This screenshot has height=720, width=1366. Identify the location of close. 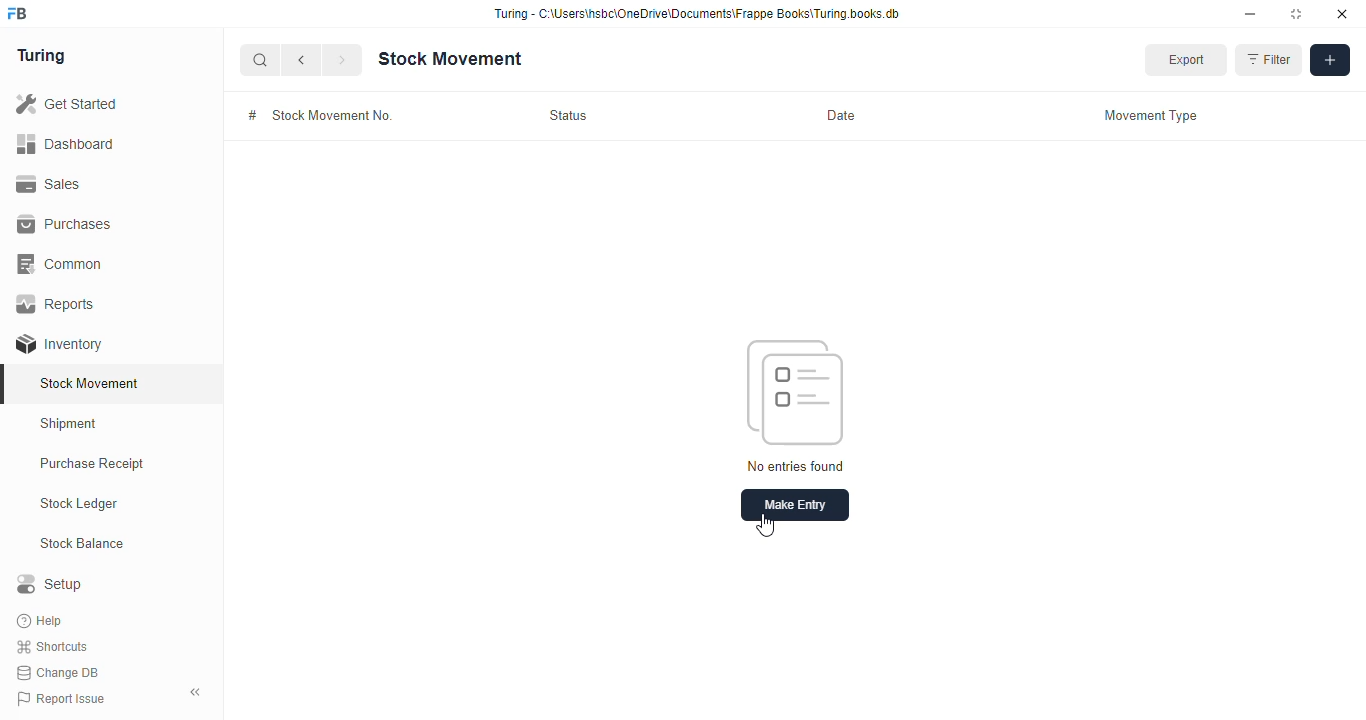
(1342, 14).